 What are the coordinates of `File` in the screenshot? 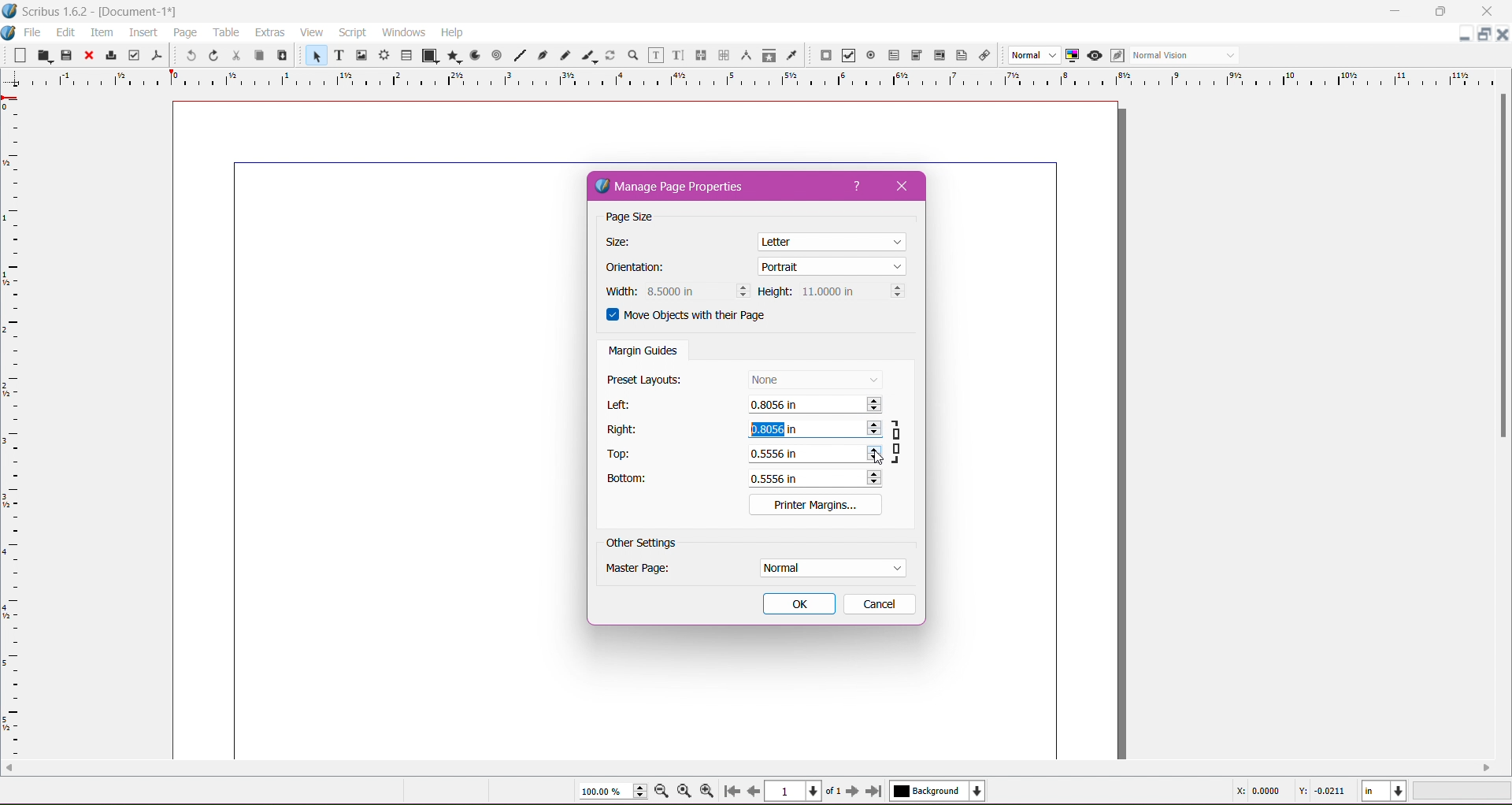 It's located at (34, 32).